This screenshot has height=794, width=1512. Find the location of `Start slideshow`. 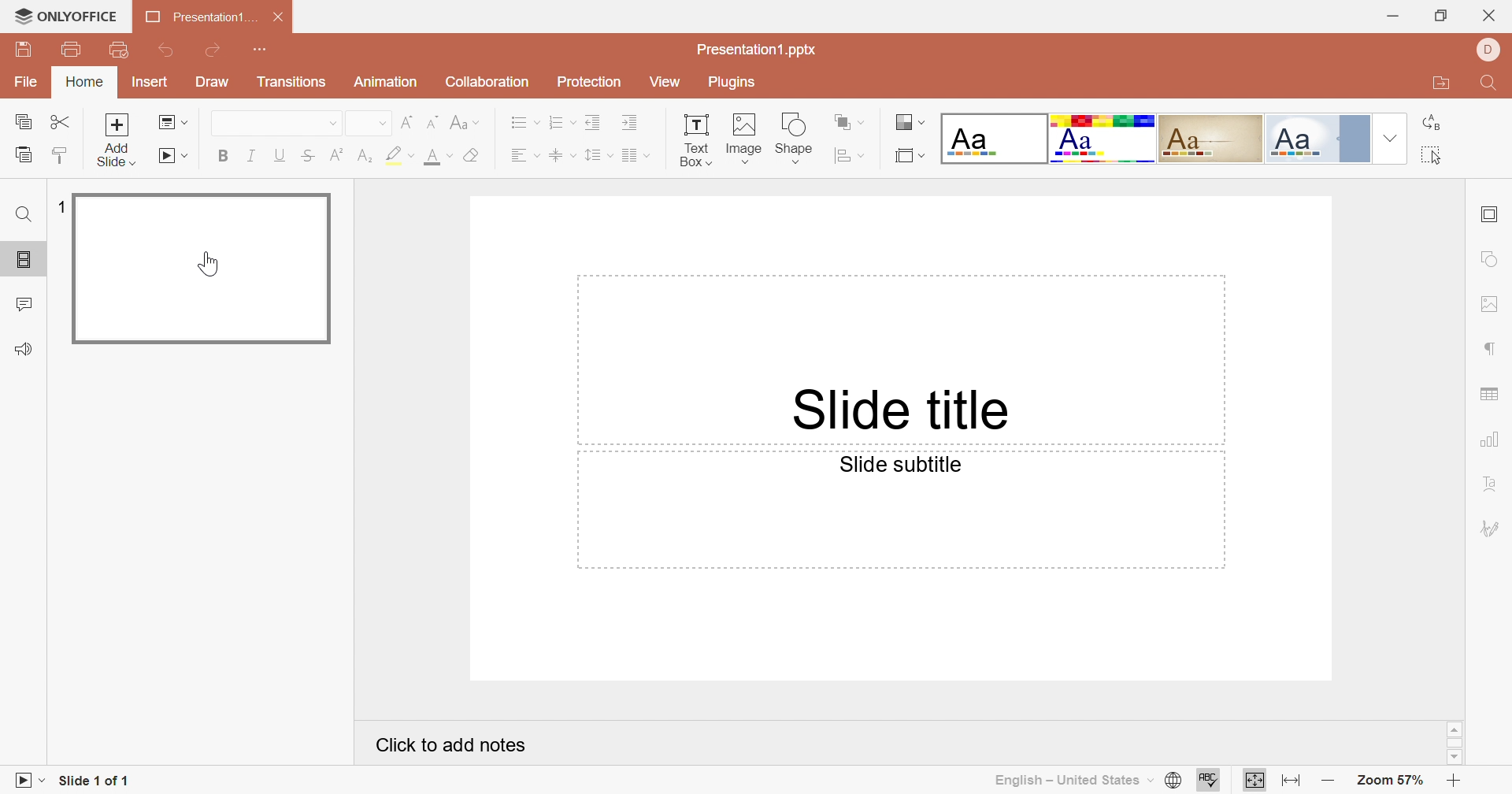

Start slideshow is located at coordinates (172, 155).